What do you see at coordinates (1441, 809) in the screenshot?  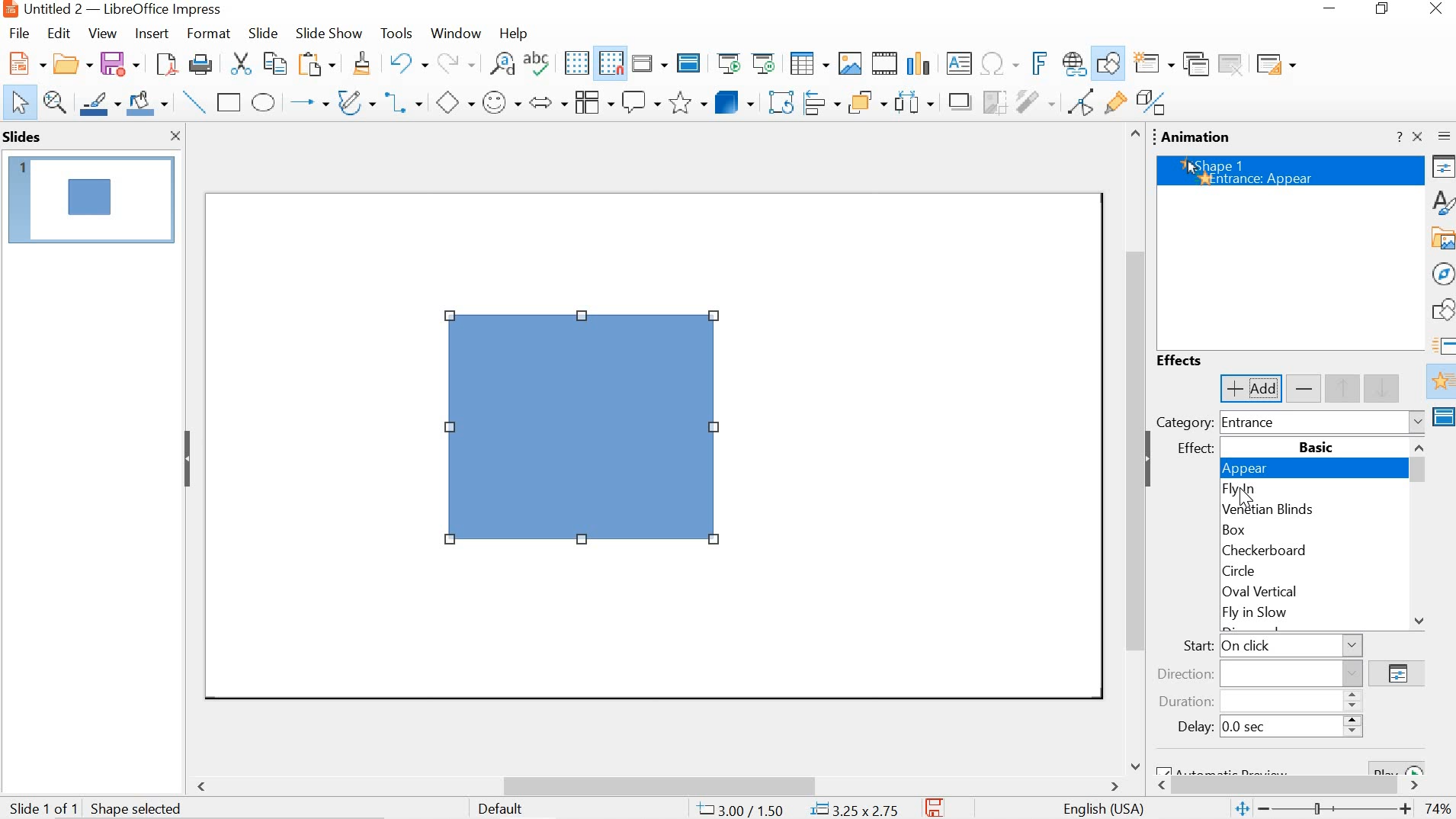 I see `zoom factor` at bounding box center [1441, 809].